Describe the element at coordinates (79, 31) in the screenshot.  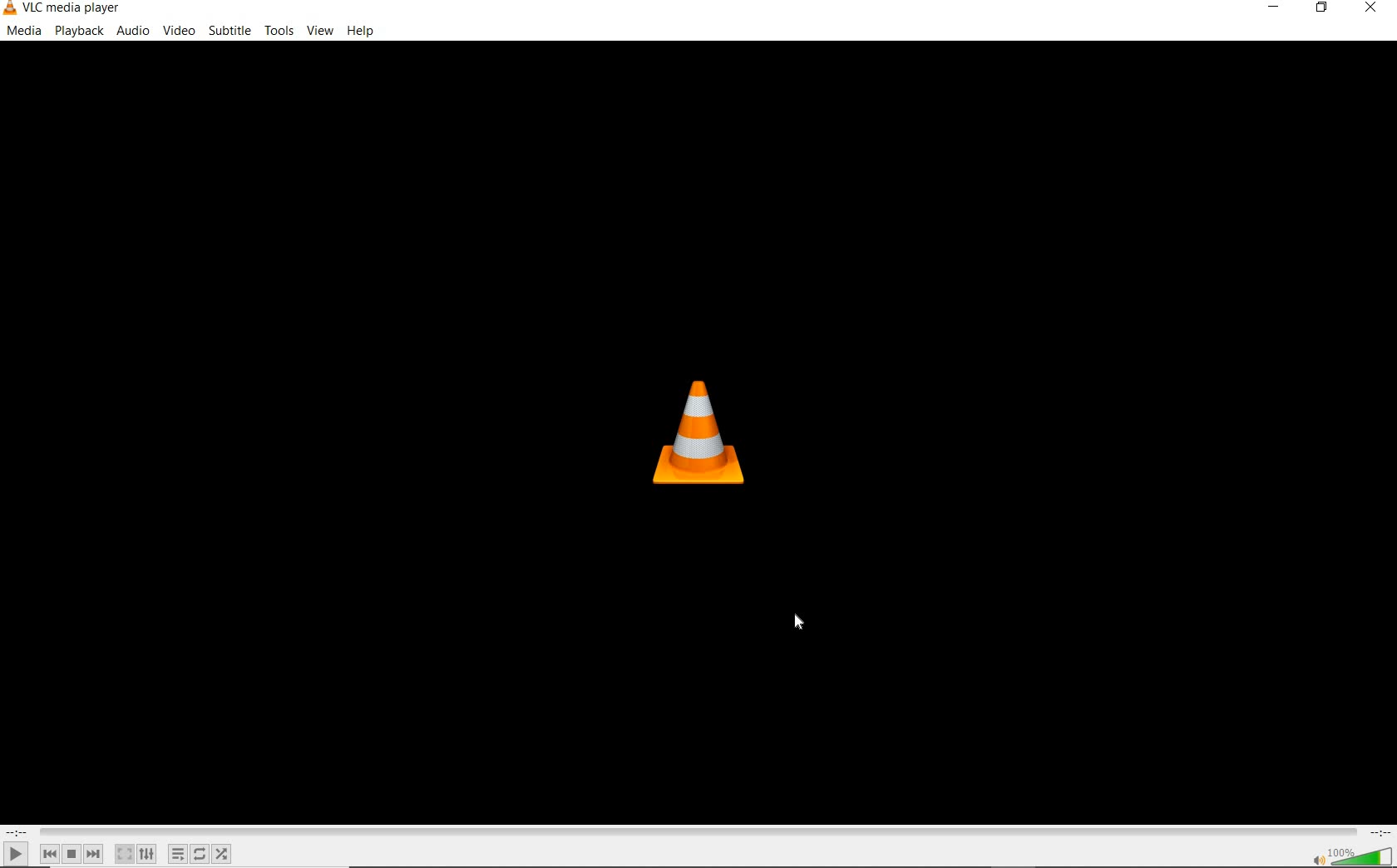
I see `playback` at that location.